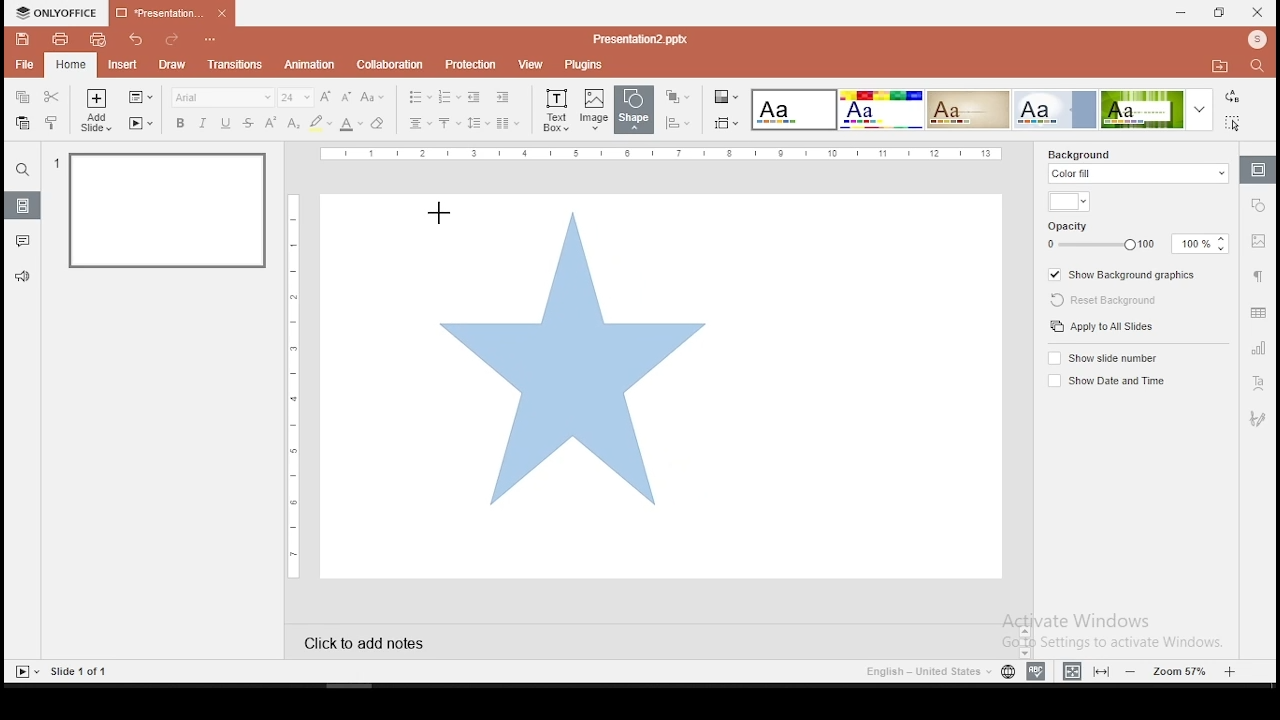 The width and height of the screenshot is (1280, 720). I want to click on paste, so click(22, 123).